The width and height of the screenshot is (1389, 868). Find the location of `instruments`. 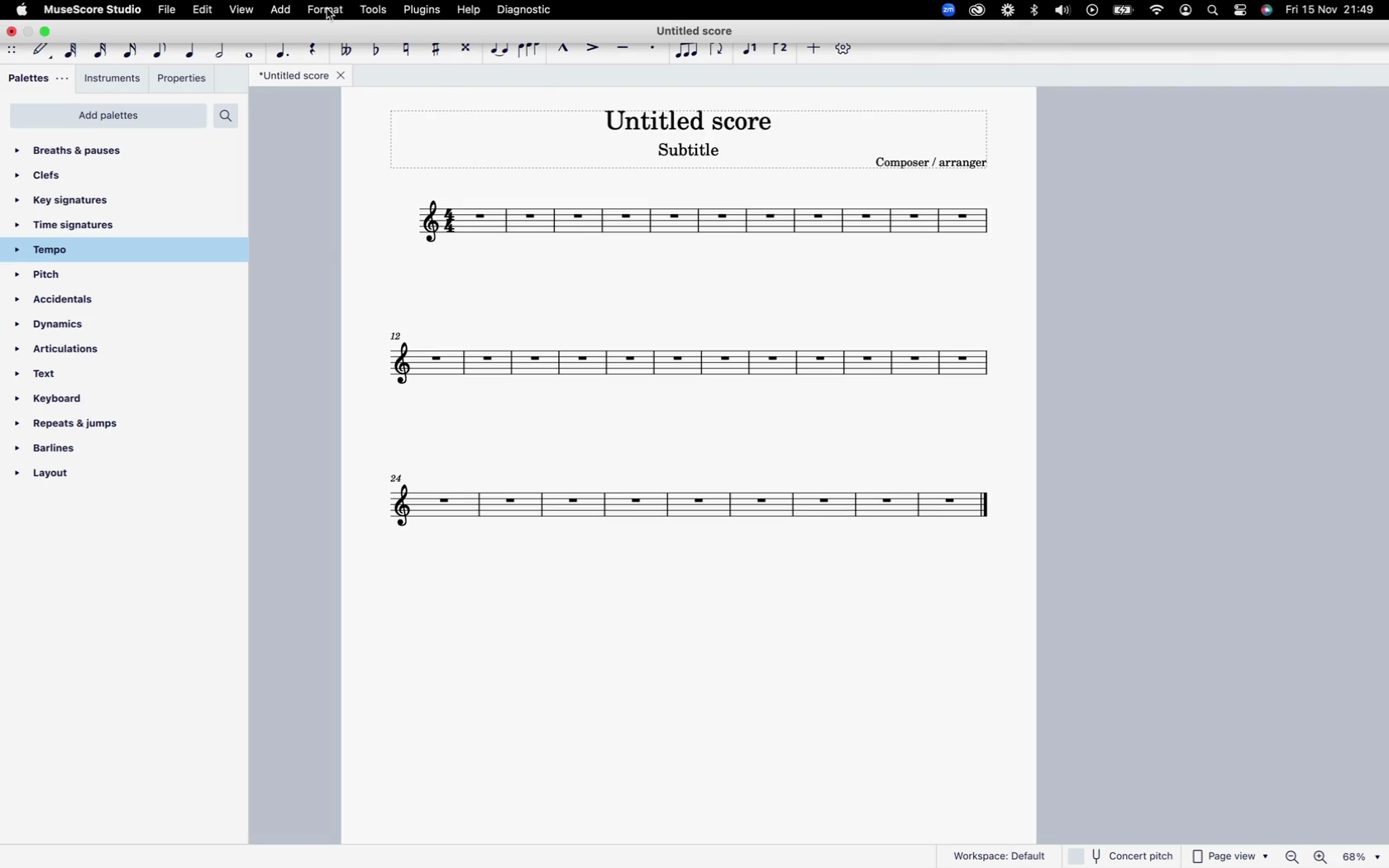

instruments is located at coordinates (112, 78).